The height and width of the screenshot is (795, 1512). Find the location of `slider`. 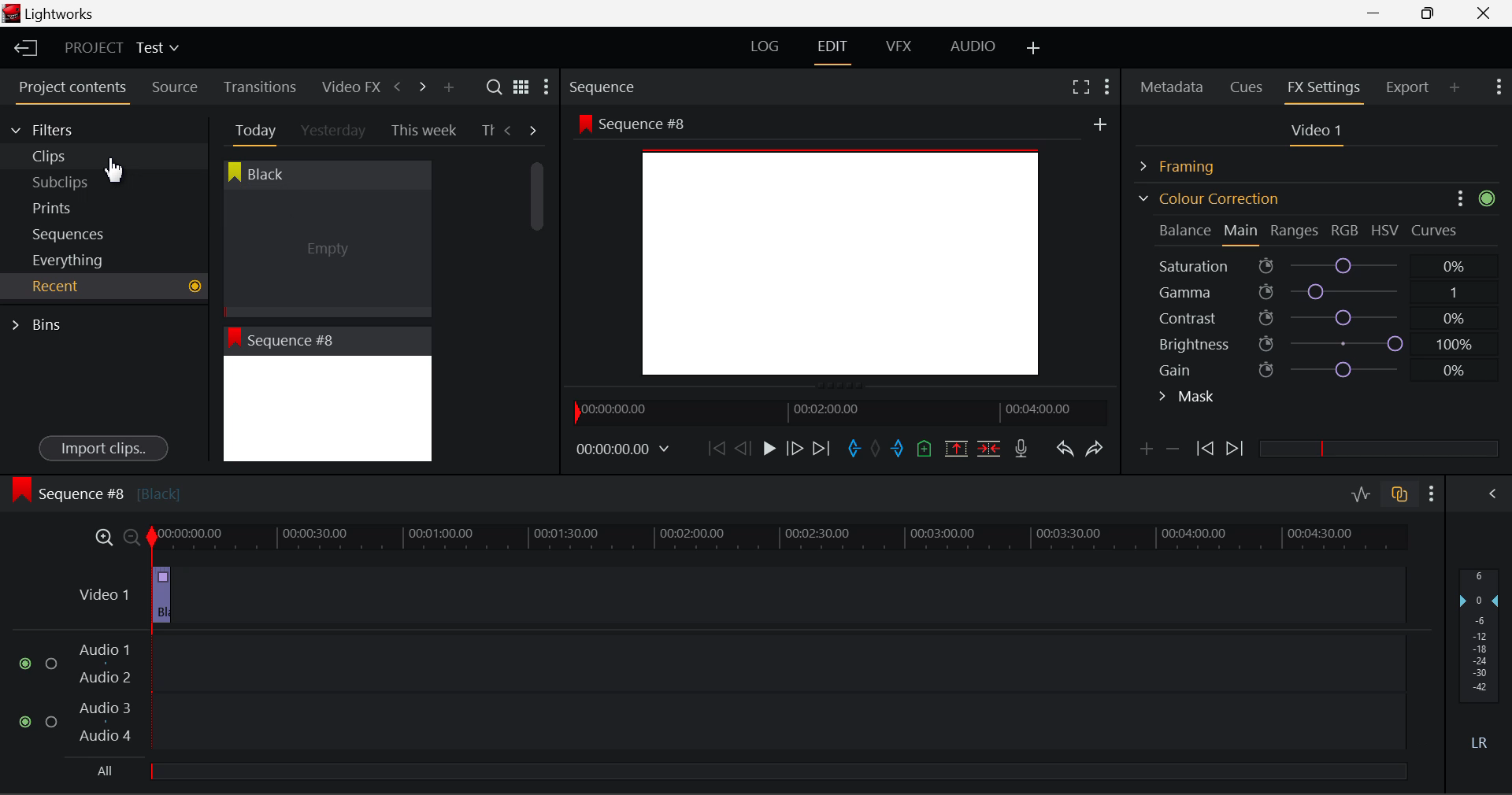

slider is located at coordinates (777, 771).